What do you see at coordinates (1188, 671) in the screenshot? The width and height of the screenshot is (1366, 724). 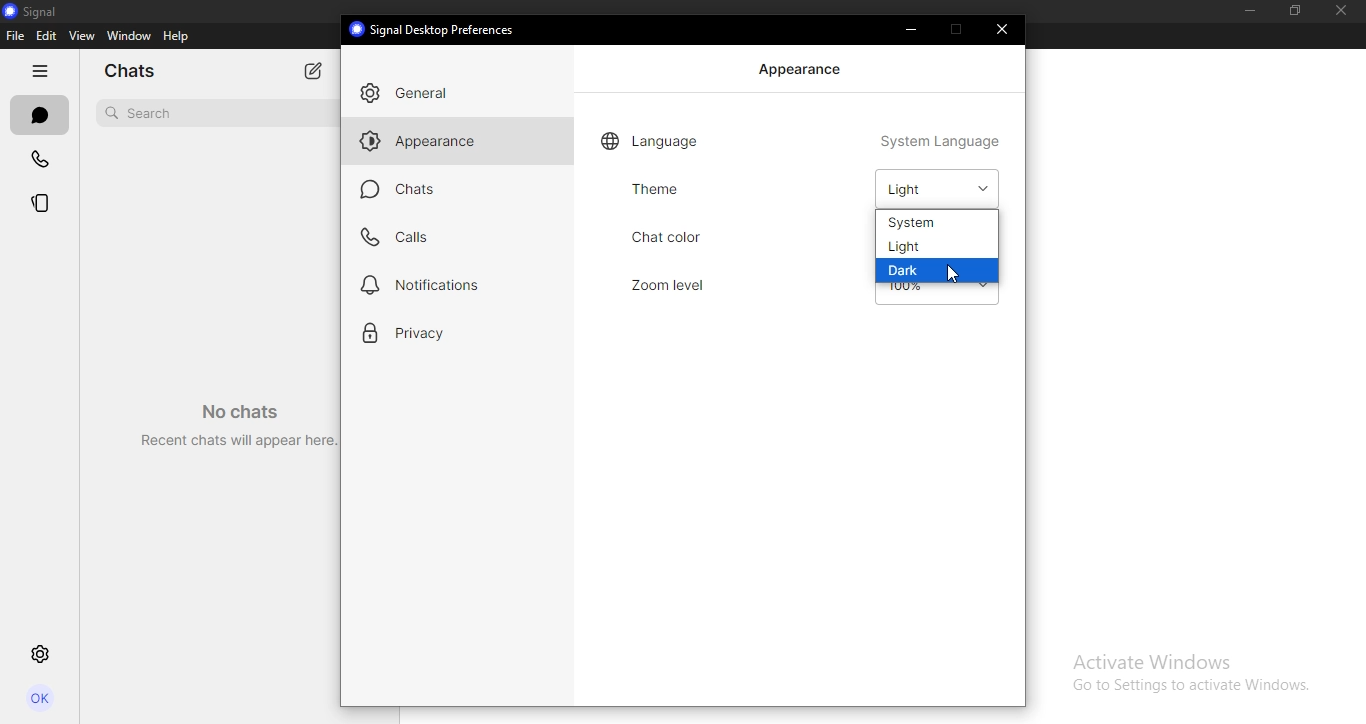 I see `Activate windows` at bounding box center [1188, 671].